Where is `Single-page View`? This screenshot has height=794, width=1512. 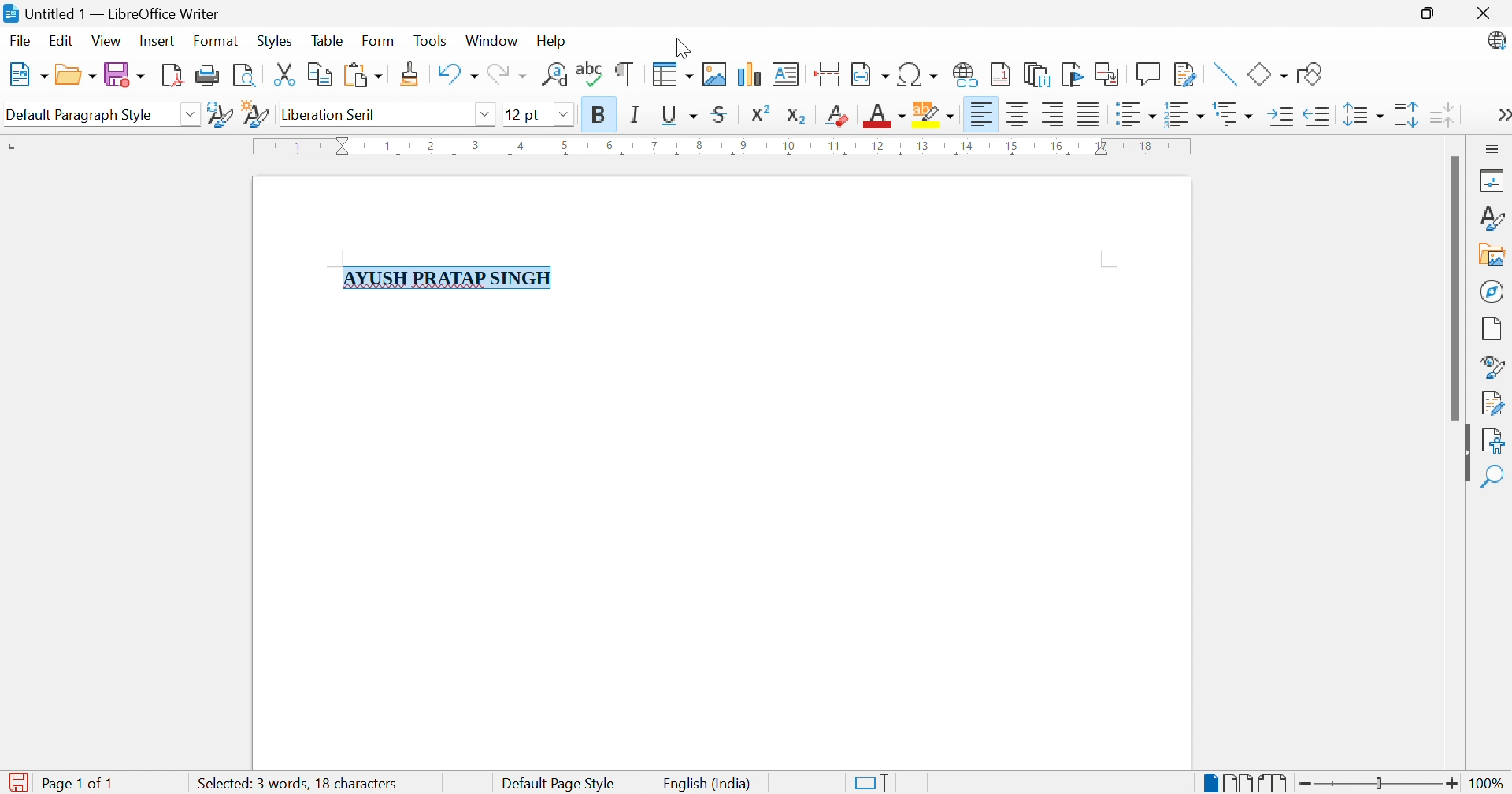
Single-page View is located at coordinates (1210, 783).